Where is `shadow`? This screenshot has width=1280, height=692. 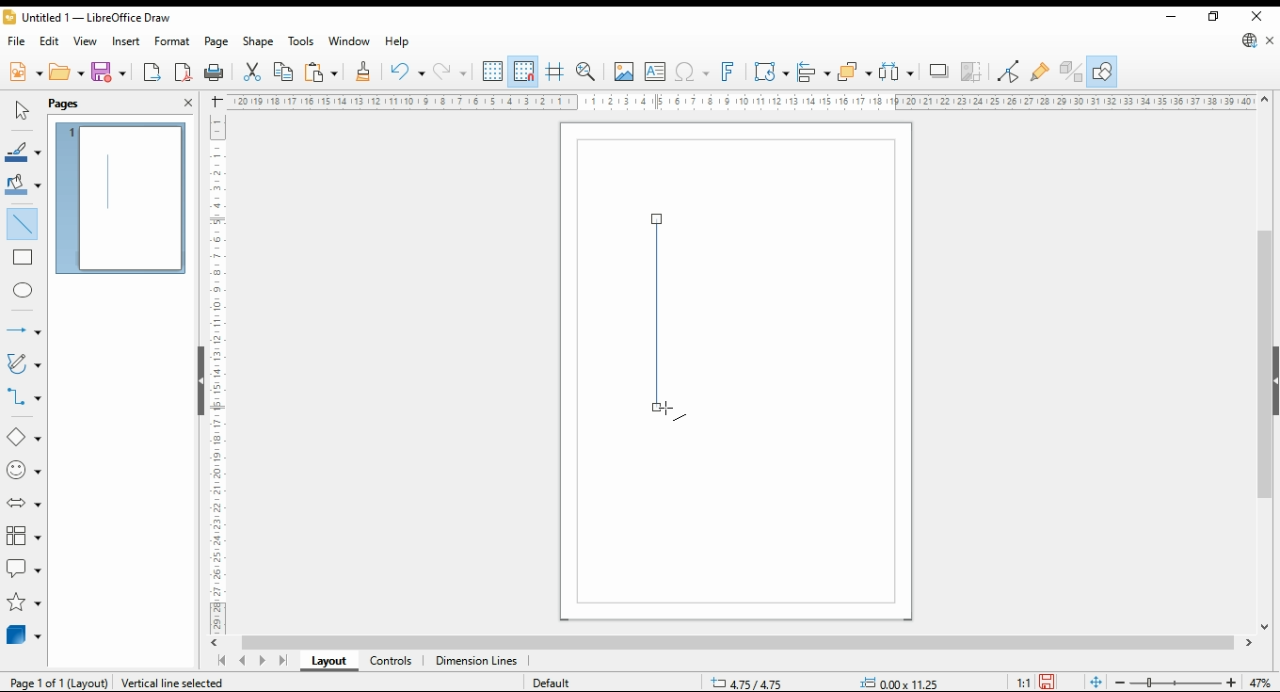
shadow is located at coordinates (940, 71).